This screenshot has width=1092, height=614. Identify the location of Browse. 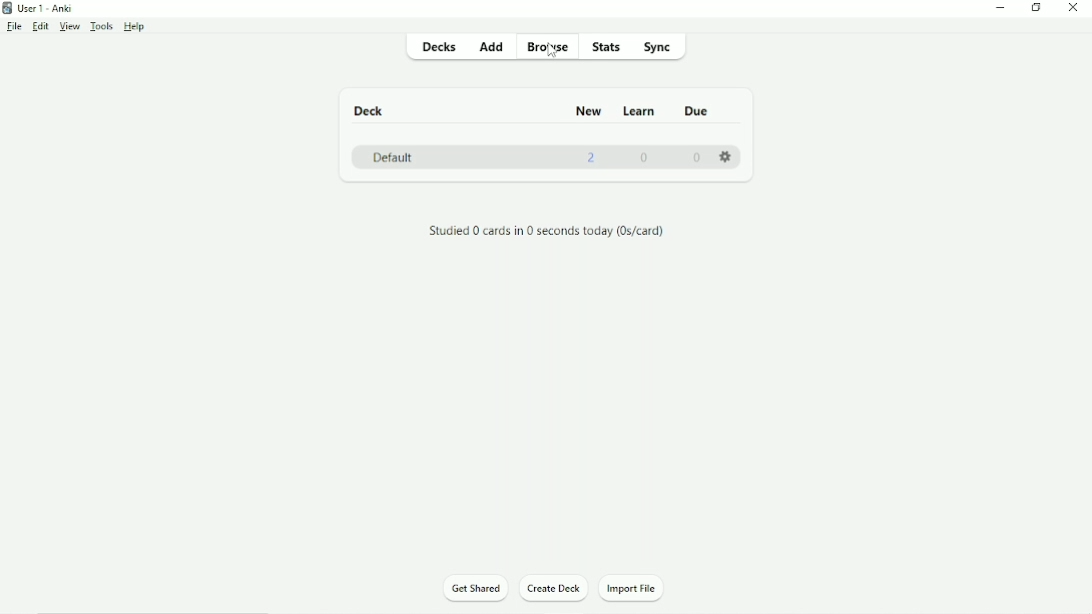
(549, 48).